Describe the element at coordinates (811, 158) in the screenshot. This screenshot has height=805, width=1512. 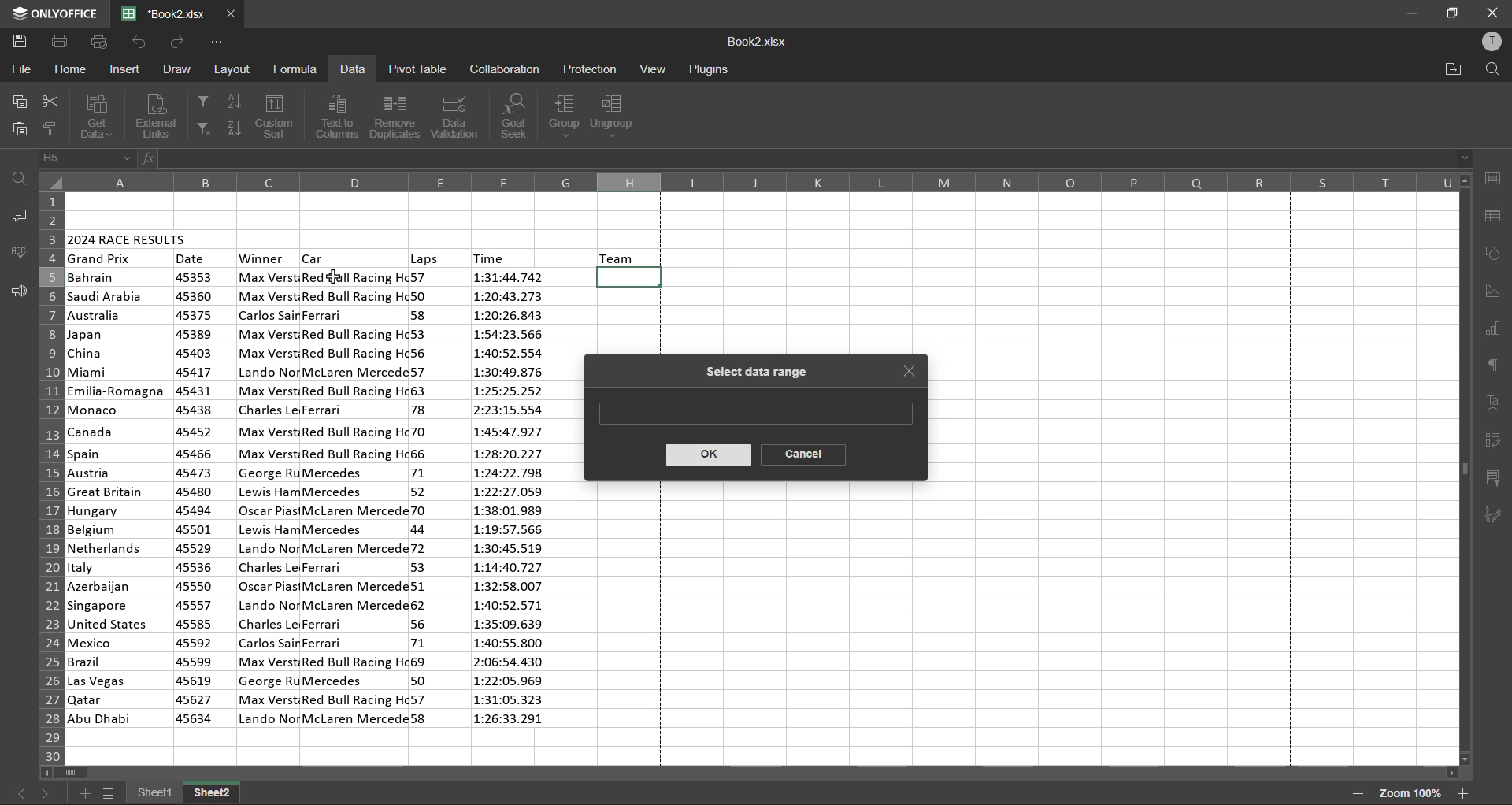
I see `formula bar` at that location.